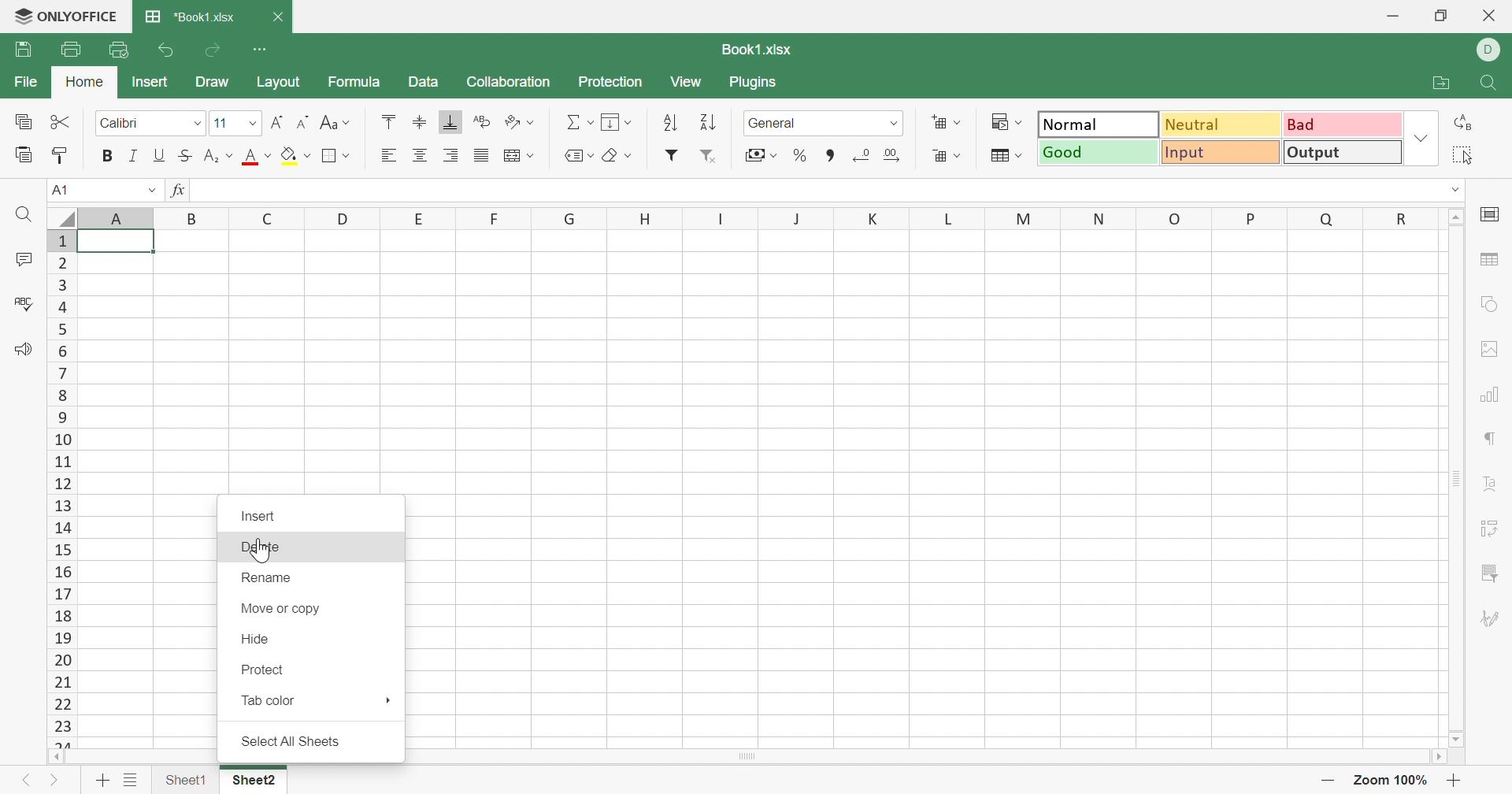 This screenshot has width=1512, height=794. Describe the element at coordinates (1443, 13) in the screenshot. I see `Restore Down` at that location.